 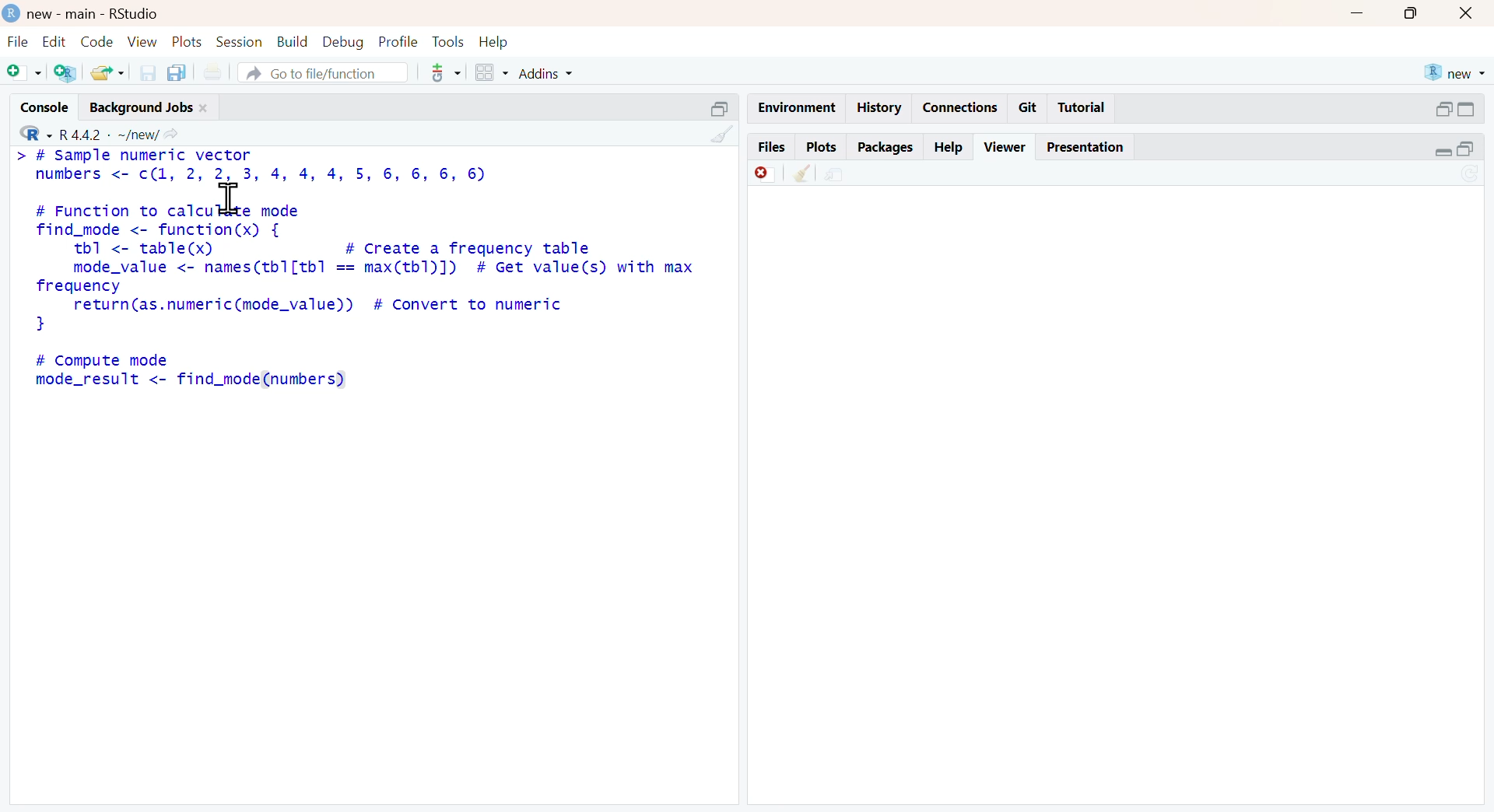 I want to click on close, so click(x=1468, y=12).